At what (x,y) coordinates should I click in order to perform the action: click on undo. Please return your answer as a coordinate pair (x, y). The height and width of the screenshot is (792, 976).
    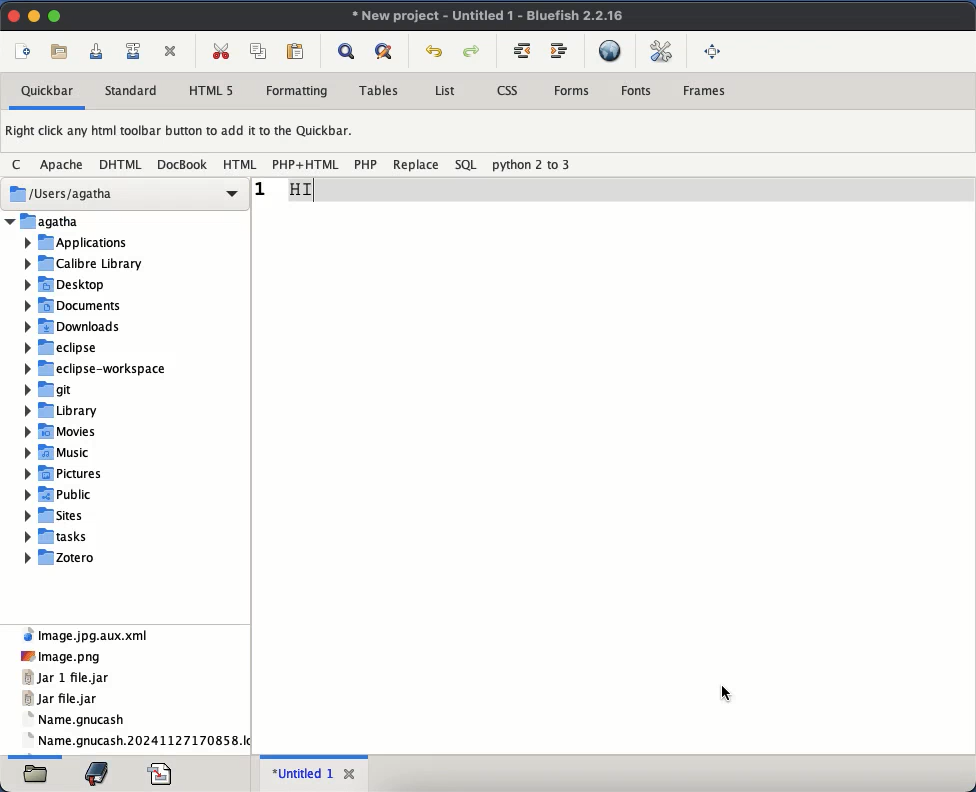
    Looking at the image, I should click on (436, 53).